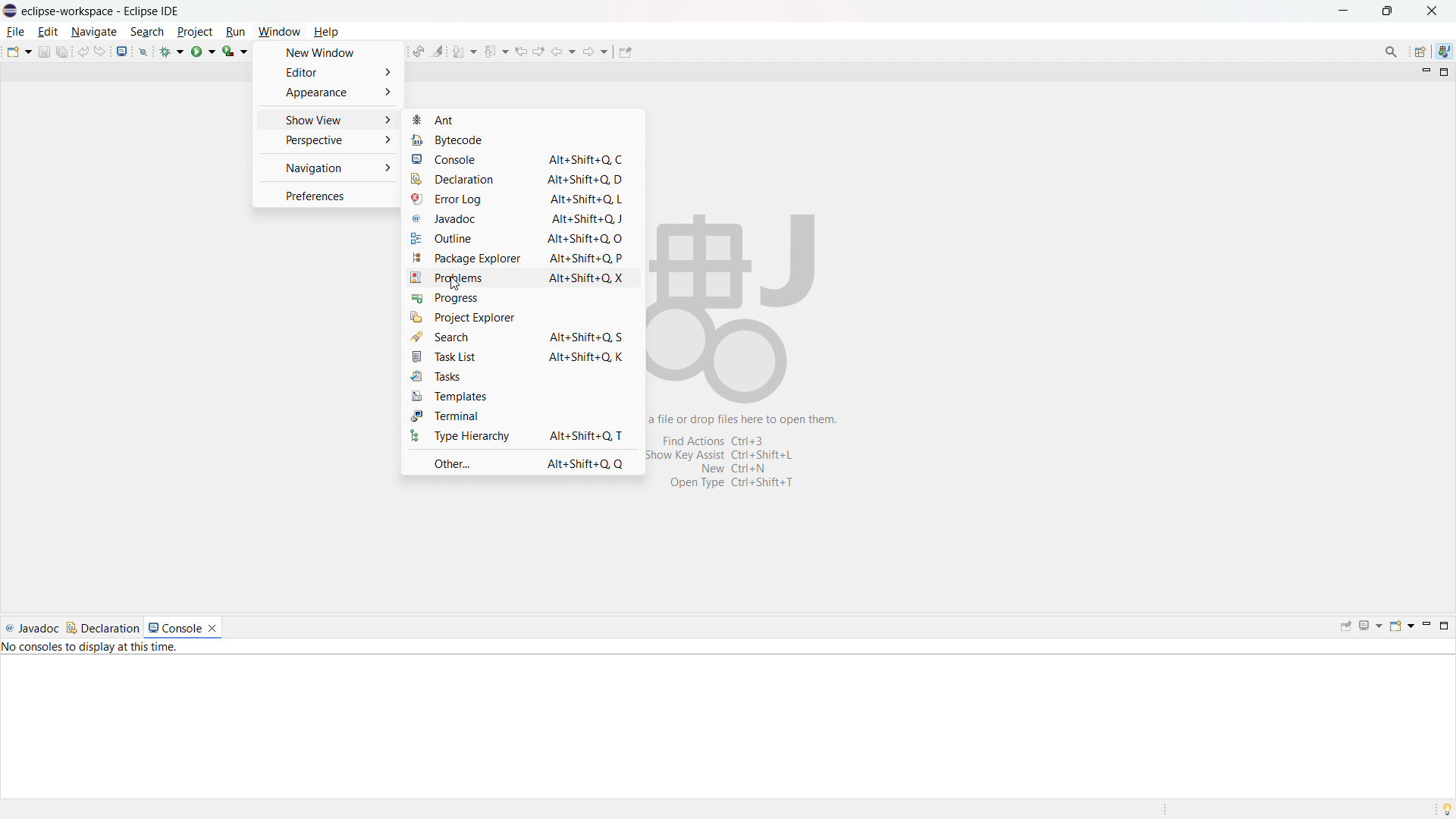 This screenshot has height=819, width=1456. Describe the element at coordinates (1401, 626) in the screenshot. I see `open console` at that location.